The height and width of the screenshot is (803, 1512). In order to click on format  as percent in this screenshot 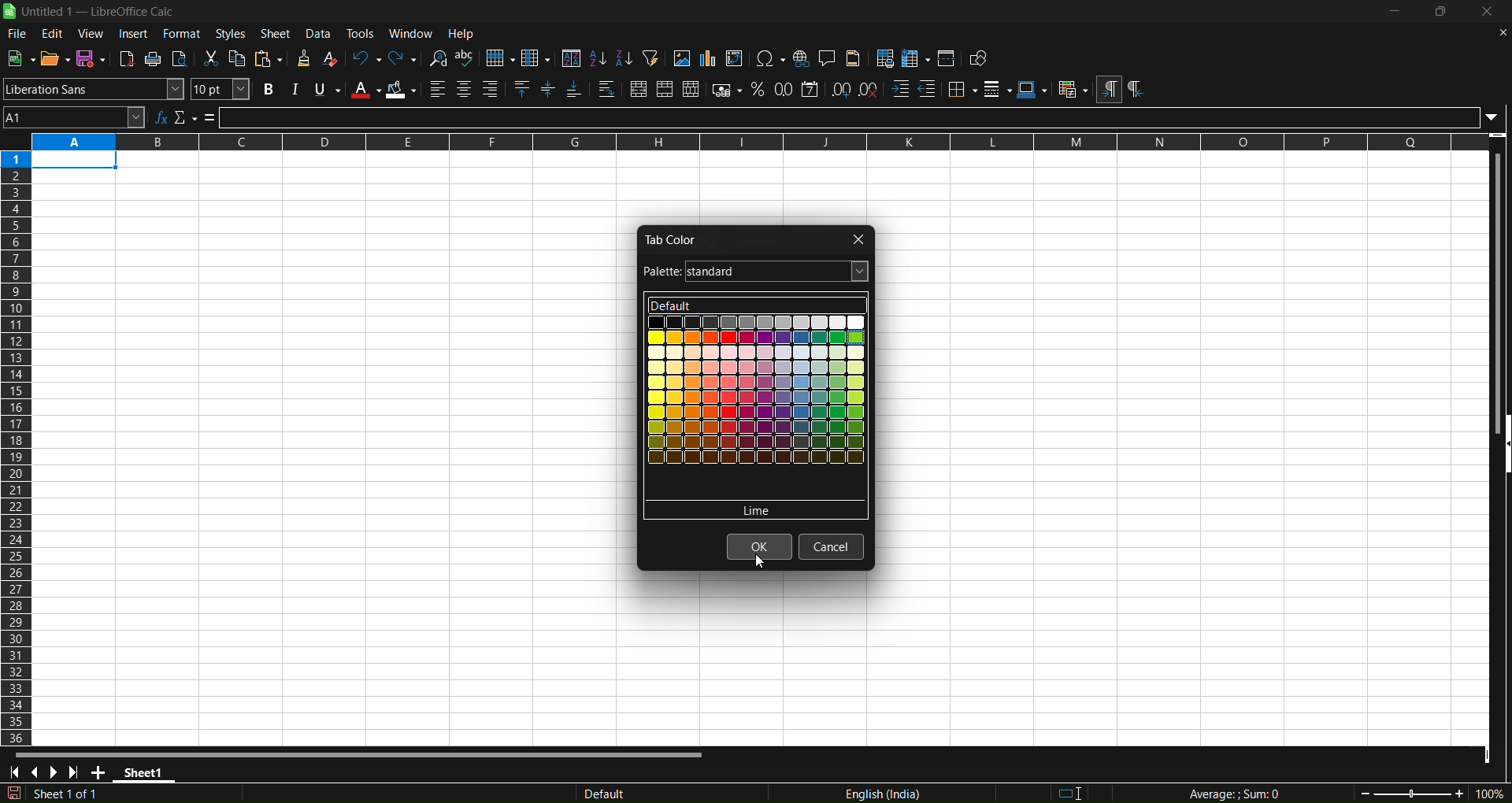, I will do `click(761, 90)`.